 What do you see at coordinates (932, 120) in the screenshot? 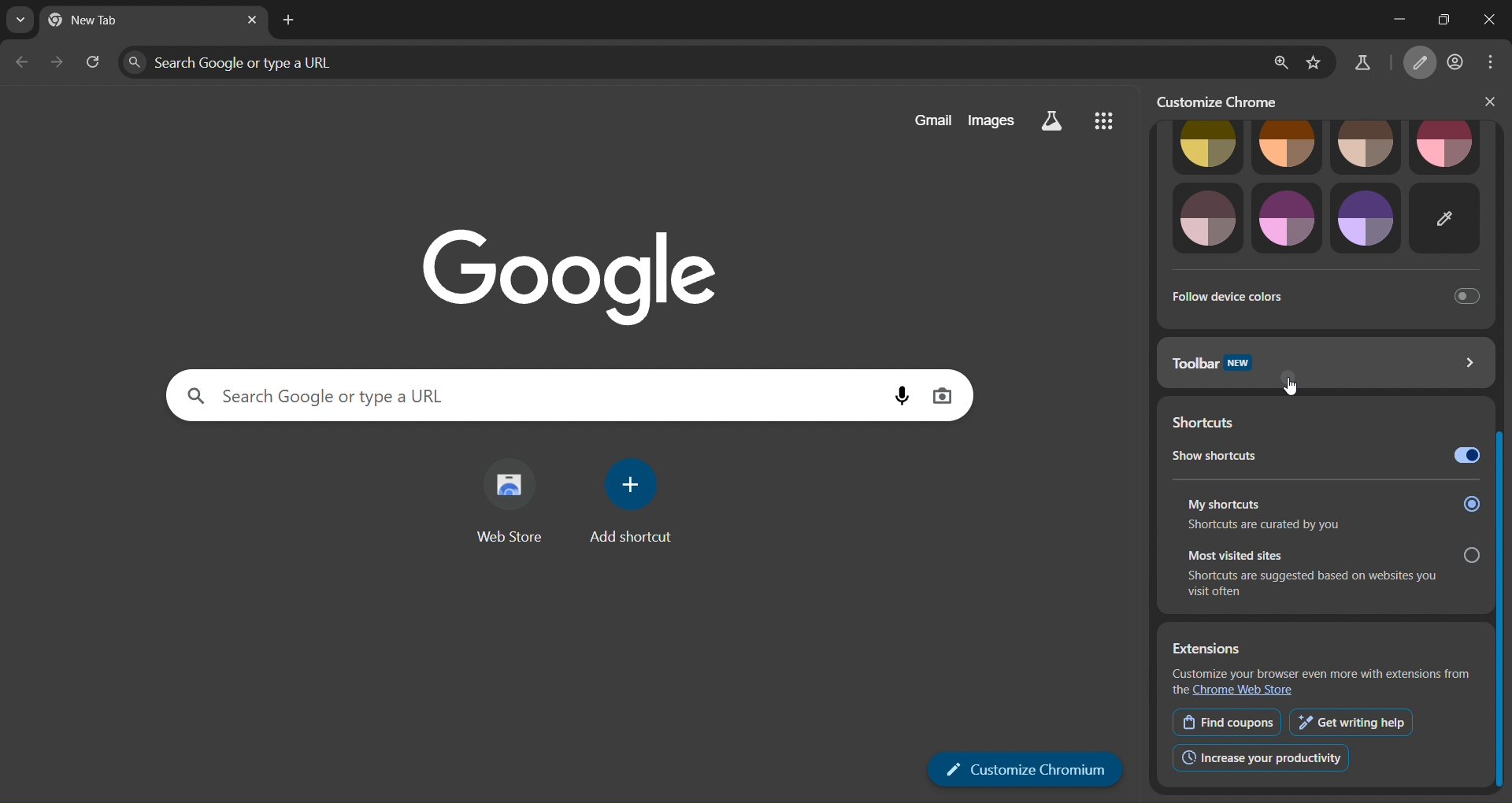
I see `gmail` at bounding box center [932, 120].